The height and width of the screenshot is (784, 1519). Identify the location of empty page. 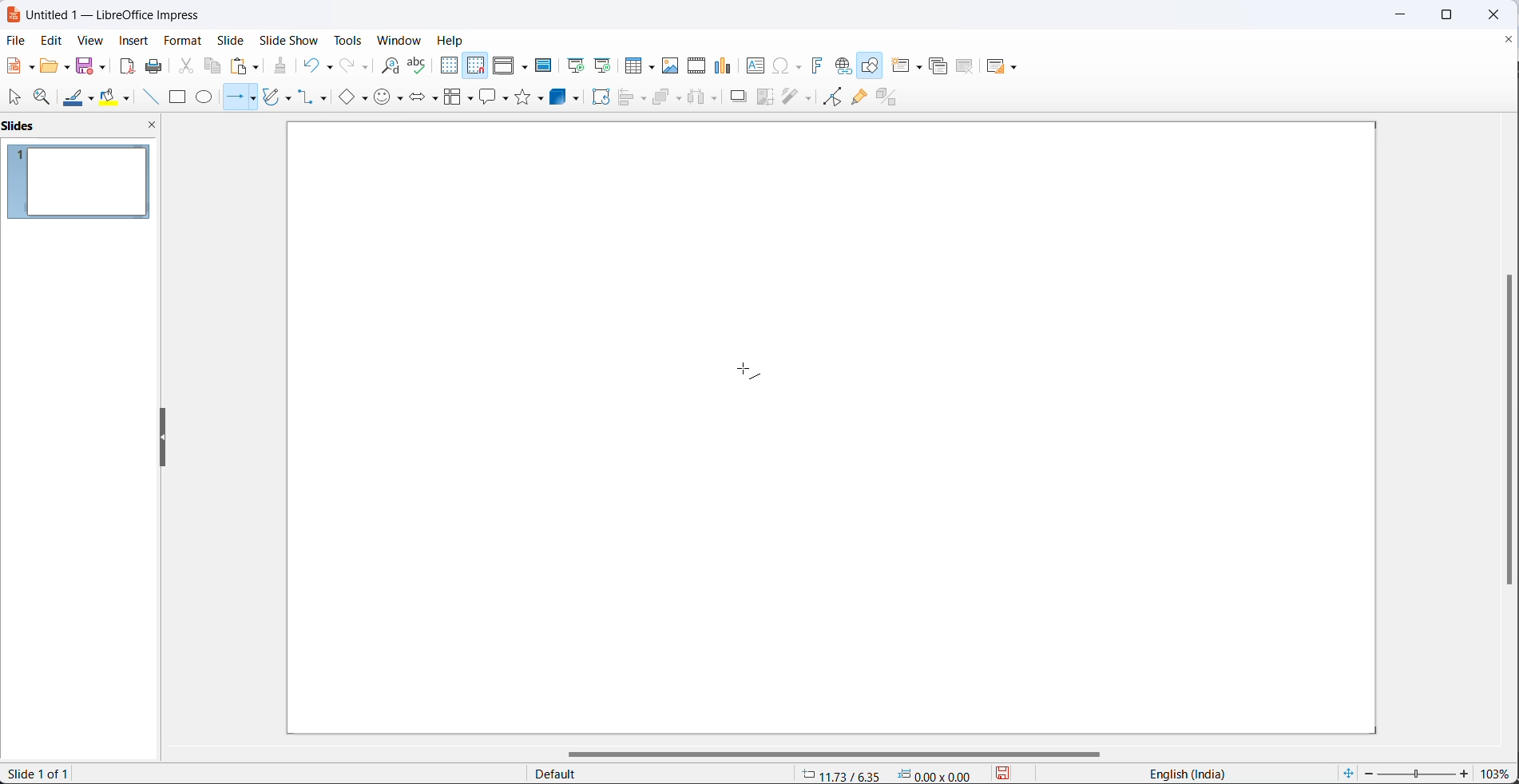
(829, 427).